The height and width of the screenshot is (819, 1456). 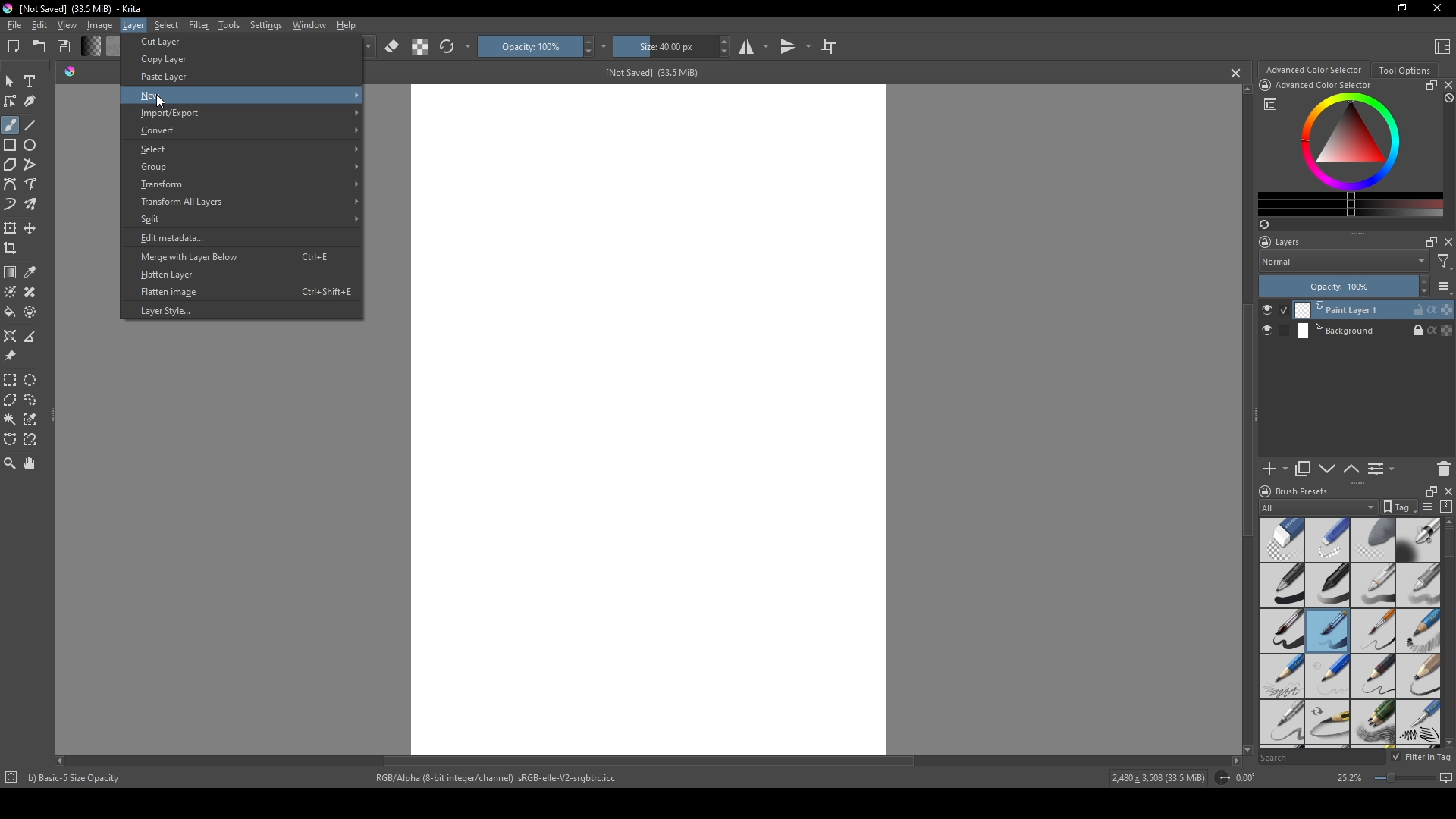 I want to click on Brush presets, so click(x=1303, y=491).